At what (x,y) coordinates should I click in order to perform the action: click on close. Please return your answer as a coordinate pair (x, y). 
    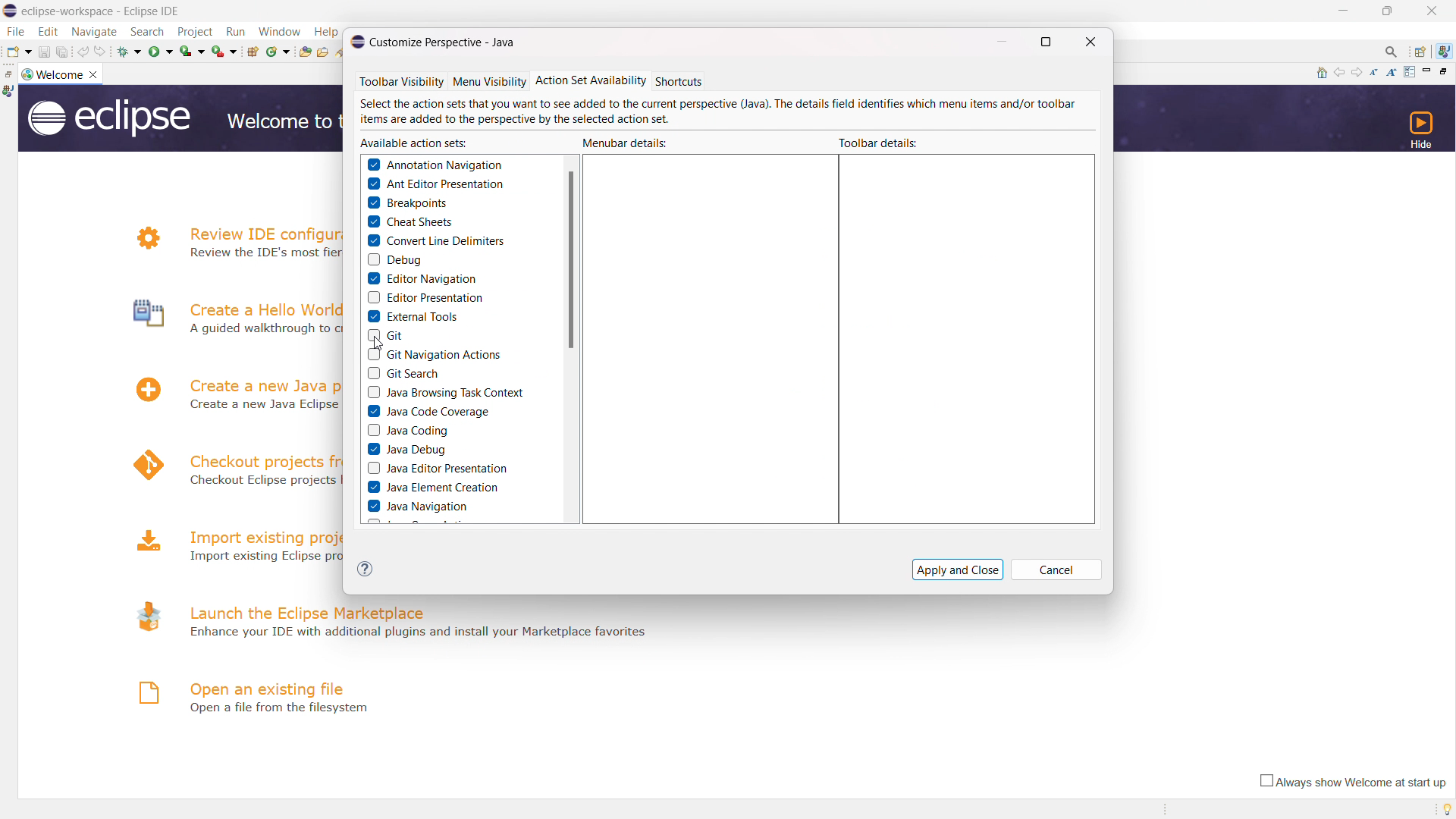
    Looking at the image, I should click on (1433, 11).